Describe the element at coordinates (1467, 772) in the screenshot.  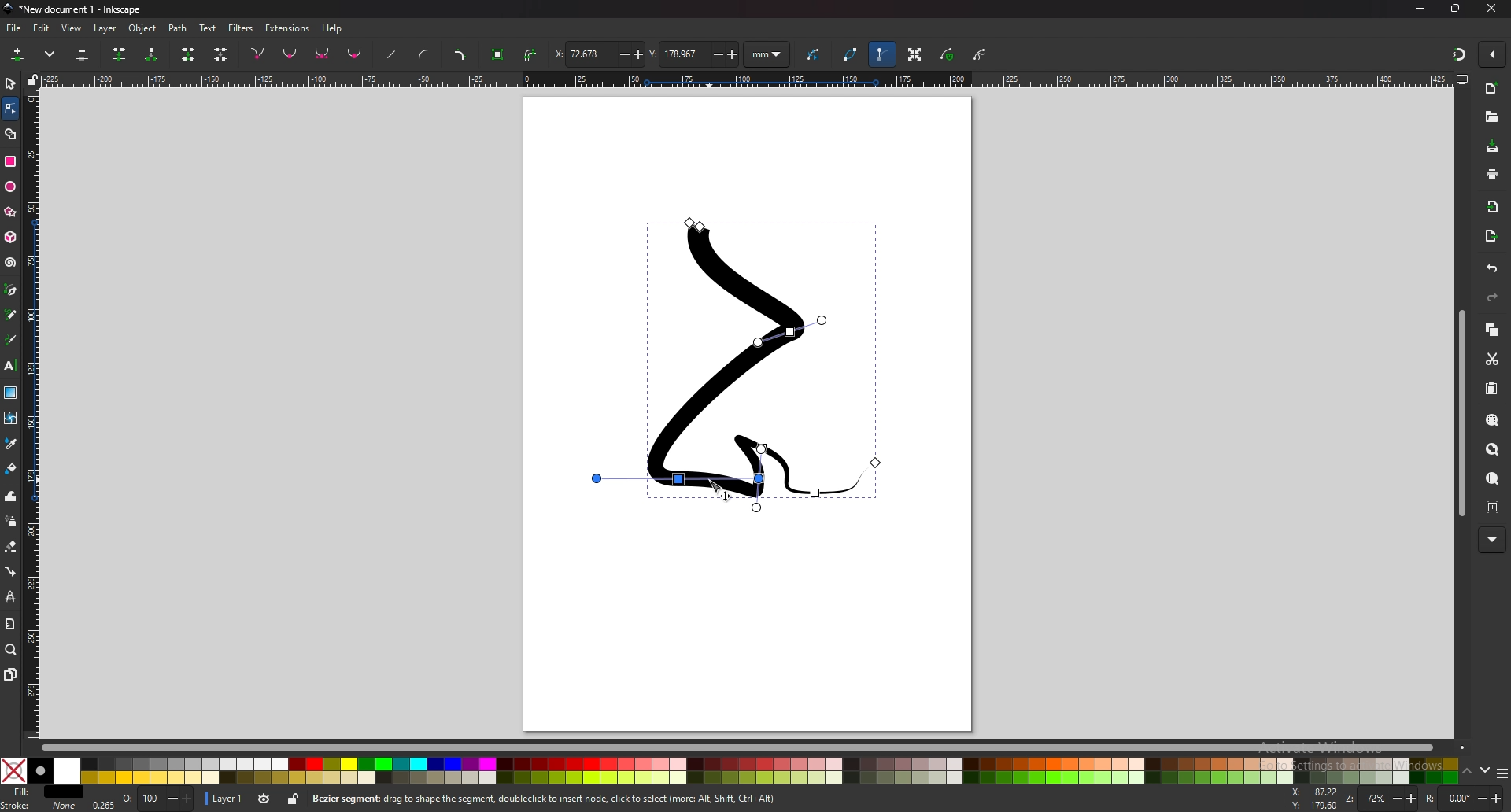
I see `up` at that location.